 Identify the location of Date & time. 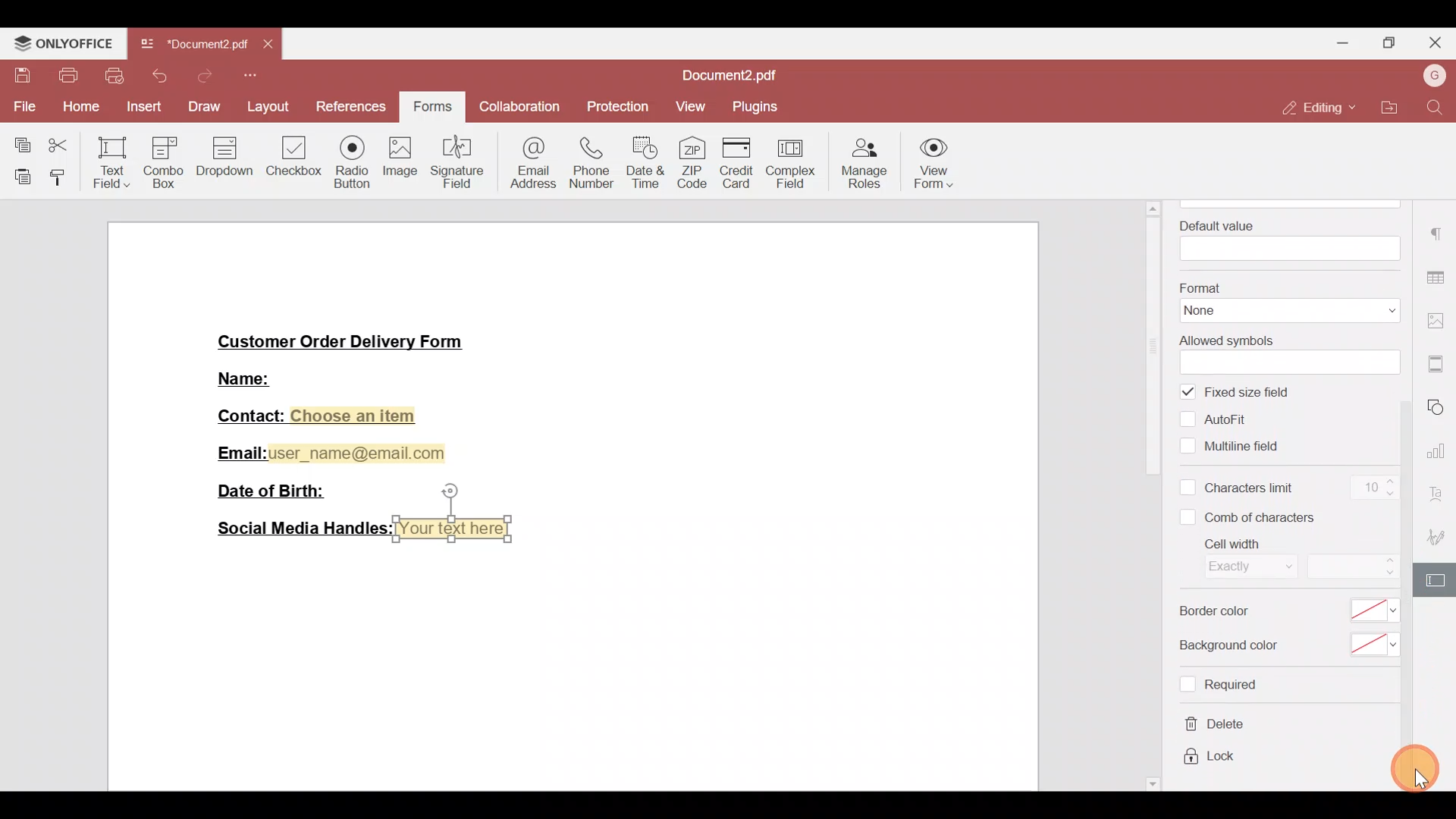
(645, 162).